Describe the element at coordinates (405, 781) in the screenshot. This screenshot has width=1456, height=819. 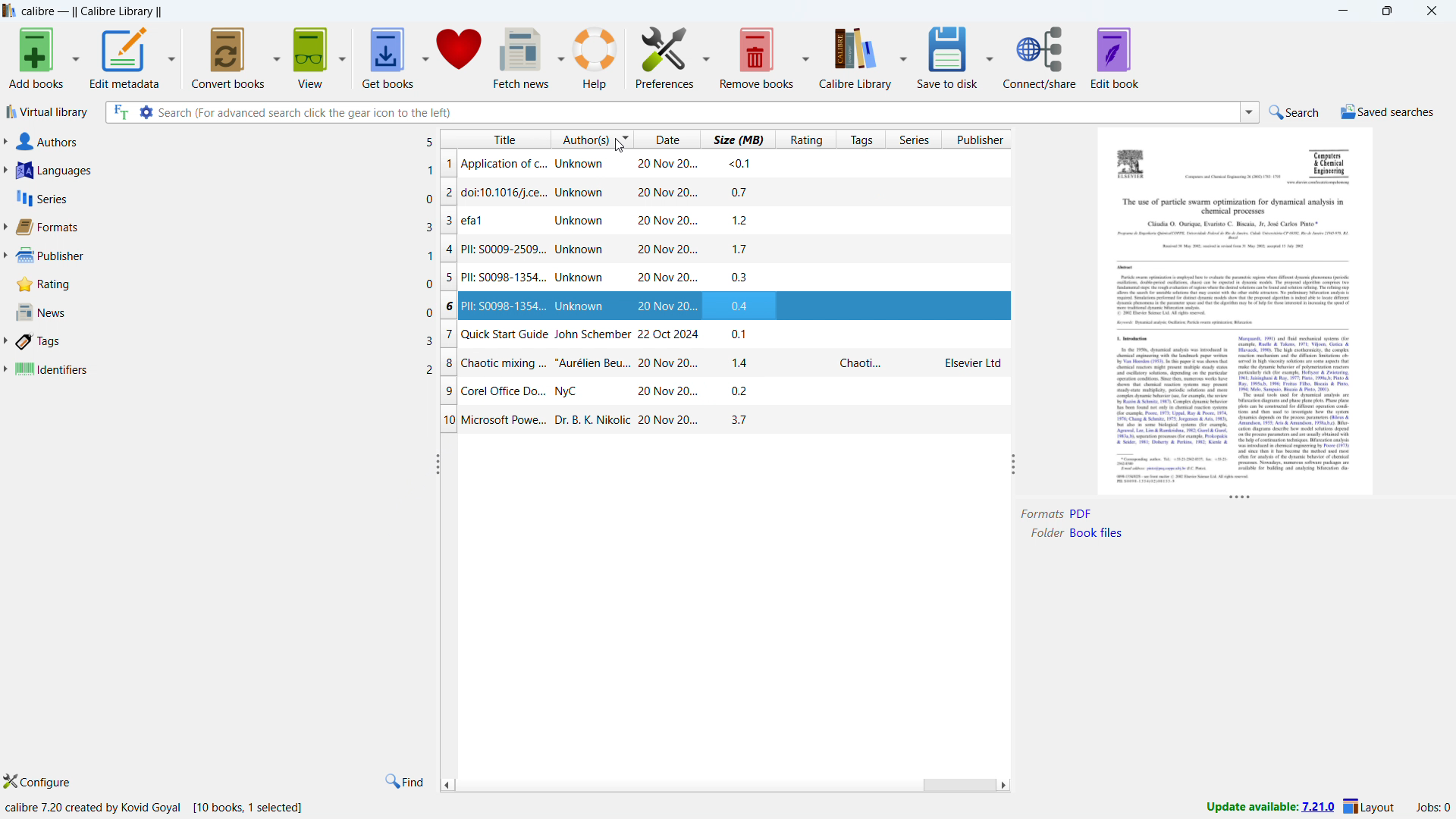
I see `find in tags` at that location.